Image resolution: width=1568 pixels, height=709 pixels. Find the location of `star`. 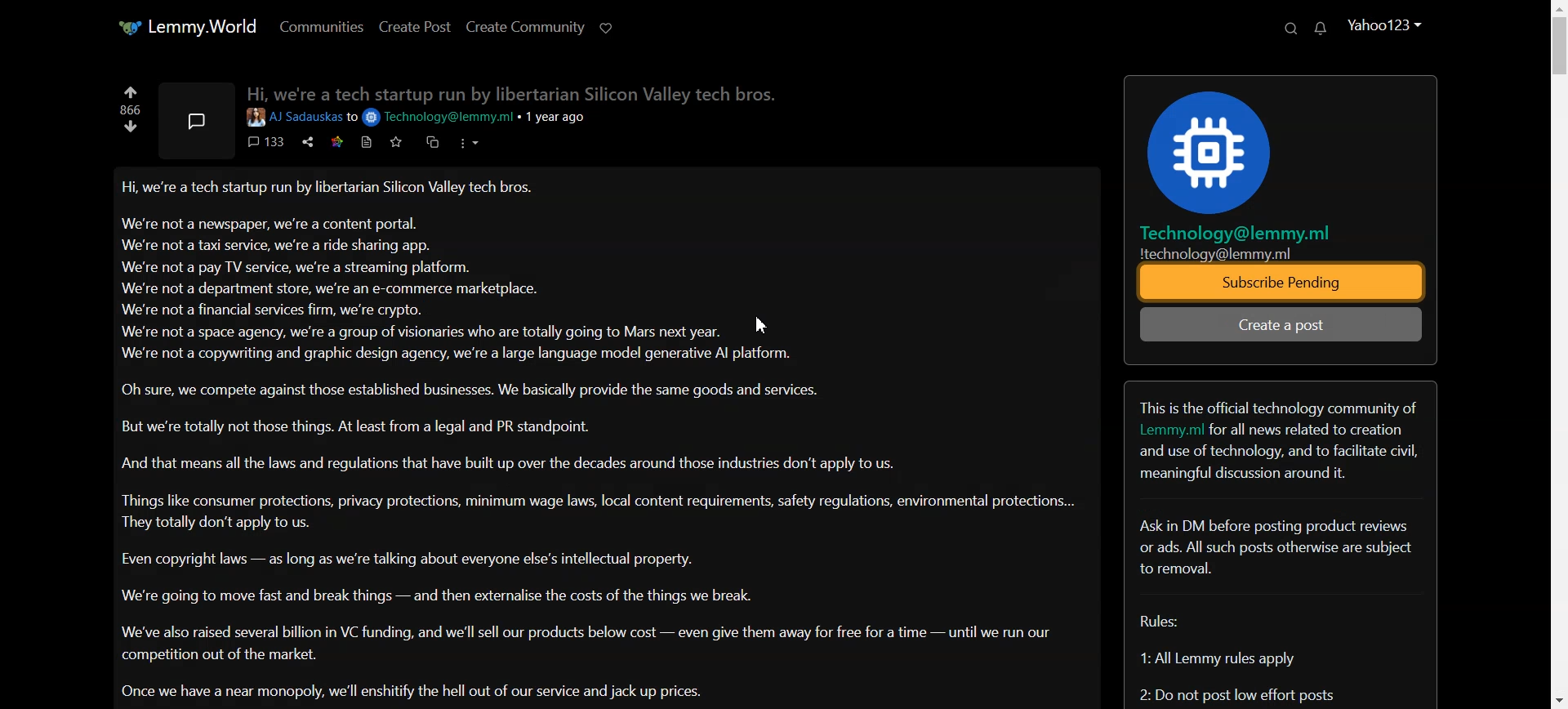

star is located at coordinates (334, 141).